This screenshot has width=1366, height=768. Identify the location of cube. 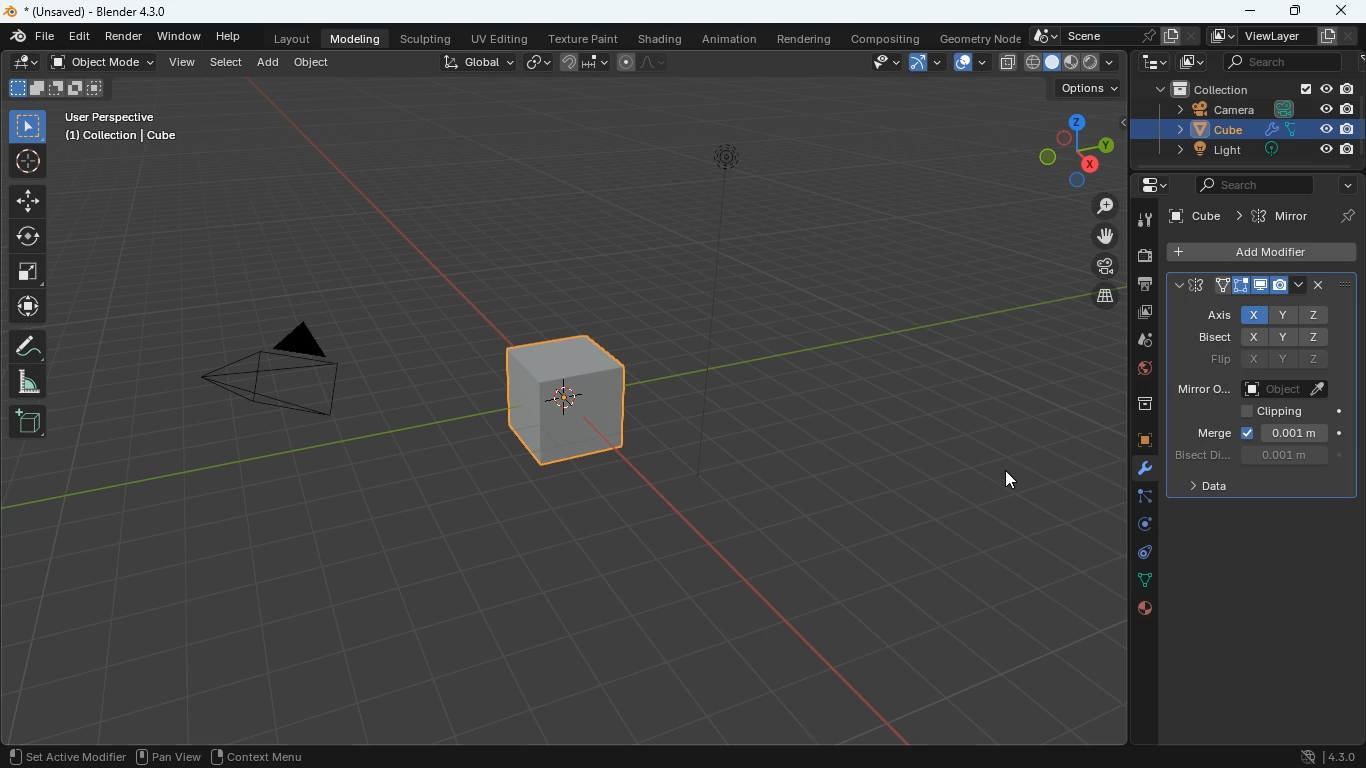
(1265, 251).